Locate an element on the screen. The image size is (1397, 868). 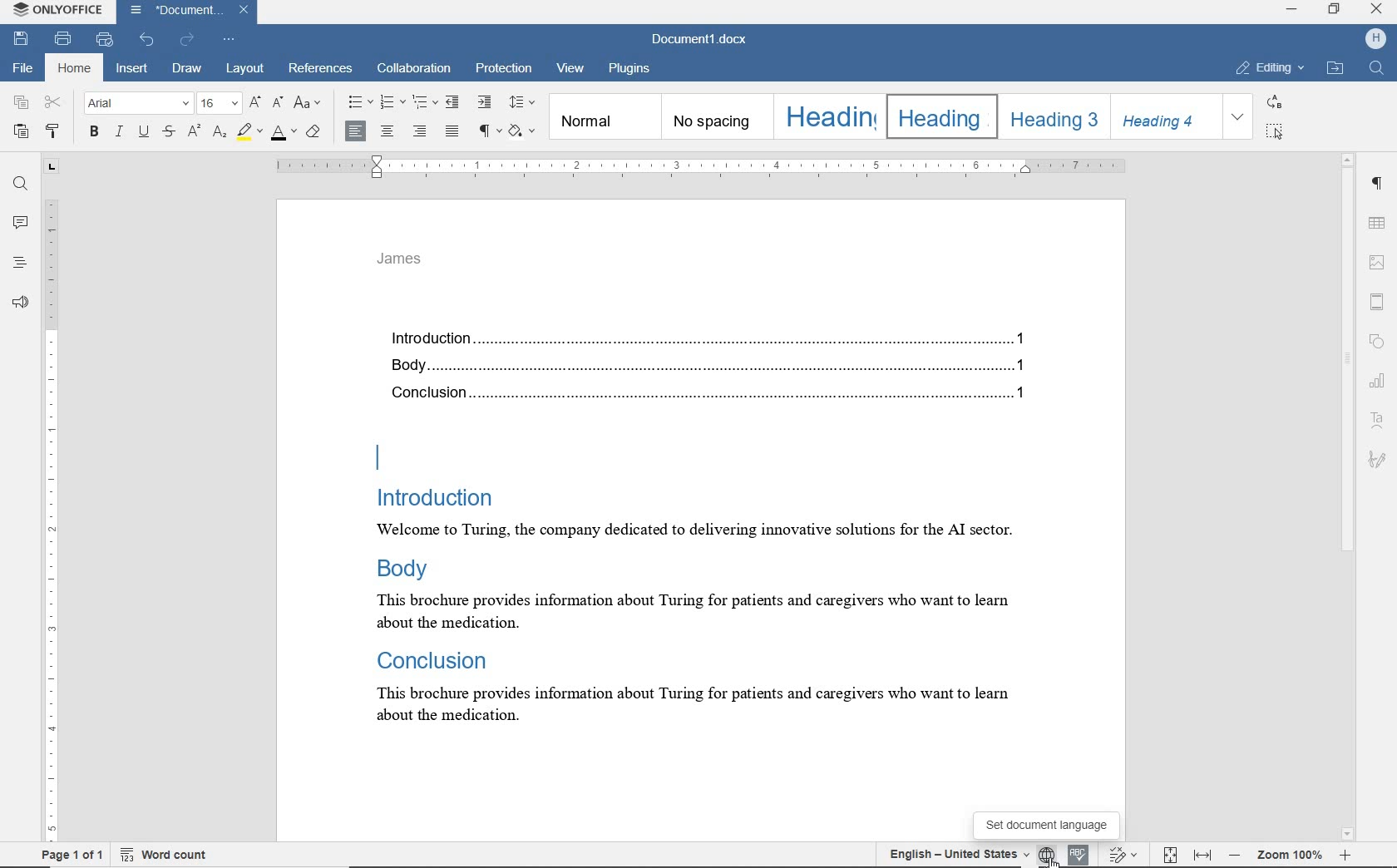
bullets is located at coordinates (359, 102).